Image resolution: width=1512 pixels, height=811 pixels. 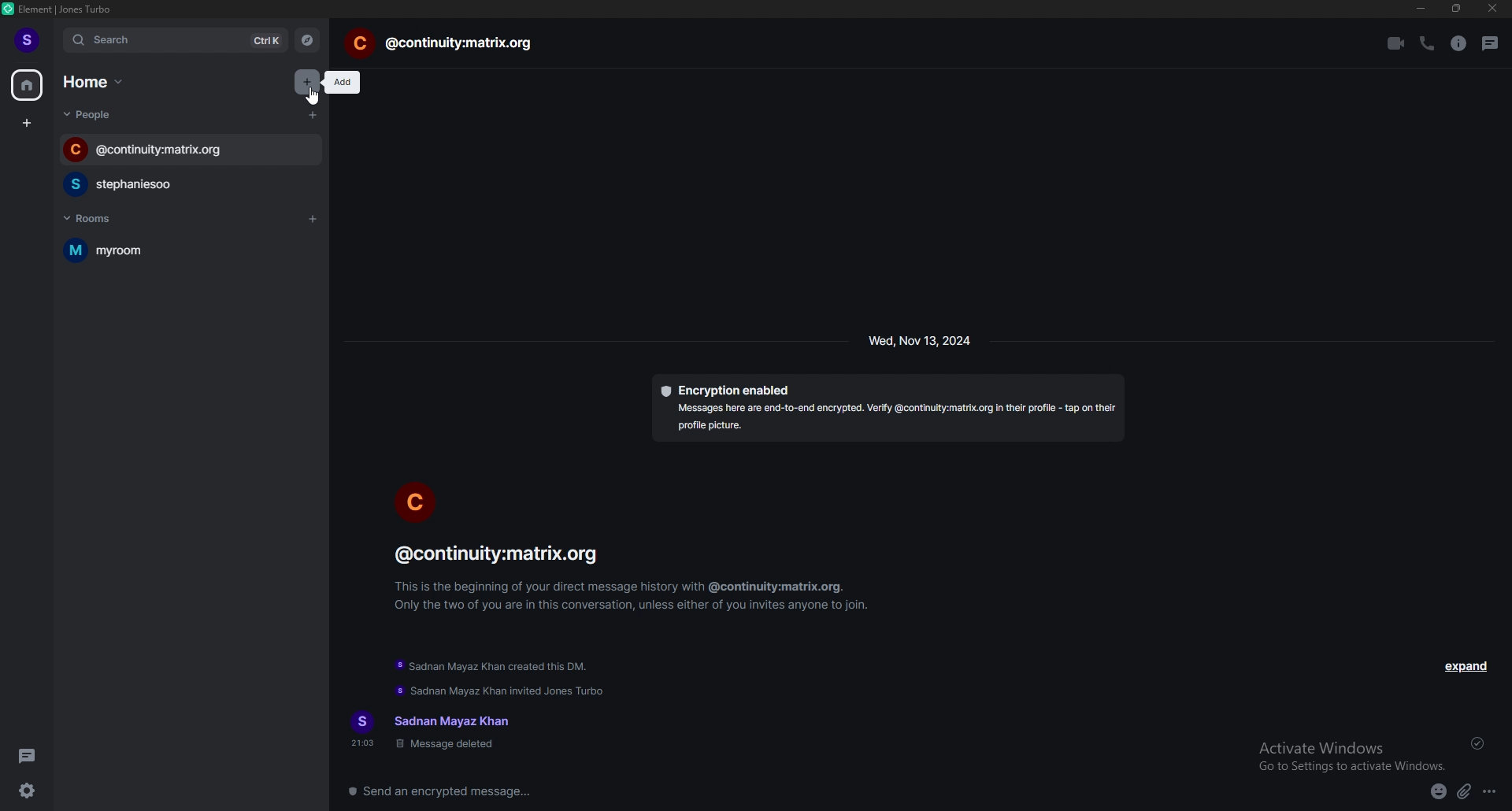 What do you see at coordinates (921, 340) in the screenshot?
I see `time` at bounding box center [921, 340].